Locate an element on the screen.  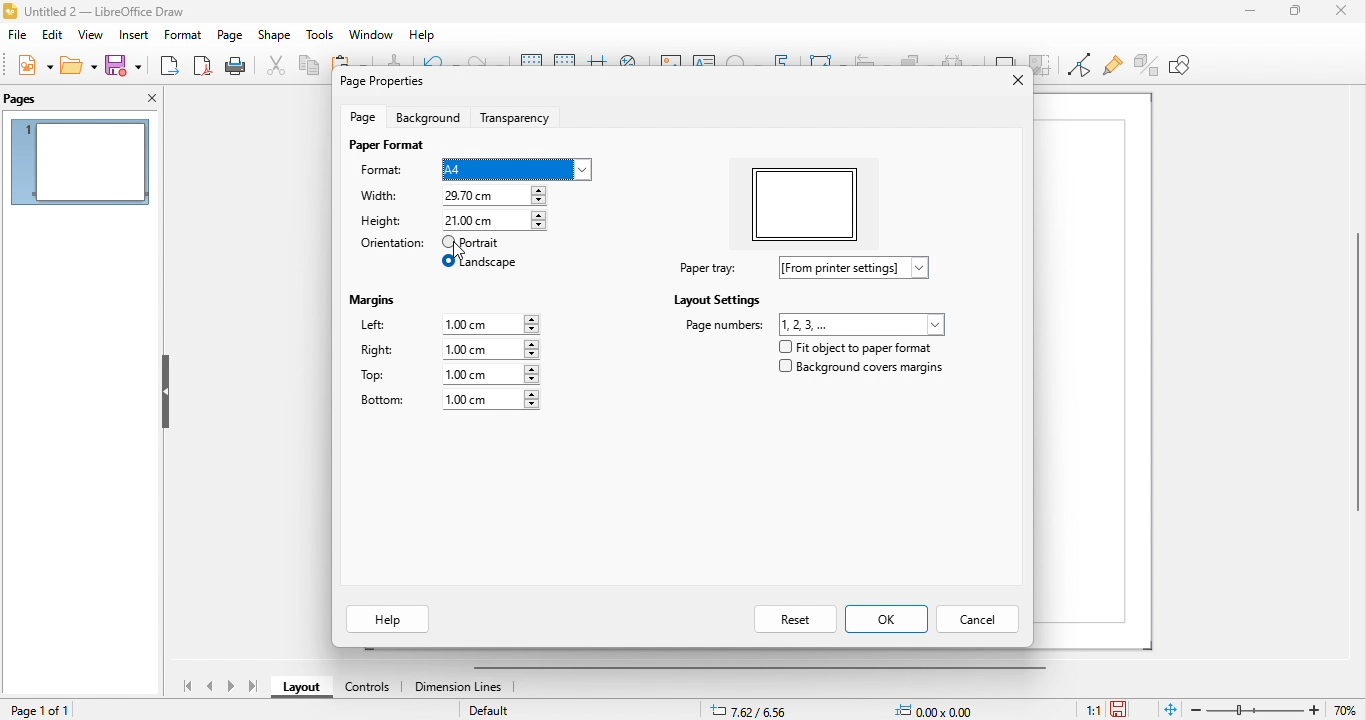
portrait is located at coordinates (472, 243).